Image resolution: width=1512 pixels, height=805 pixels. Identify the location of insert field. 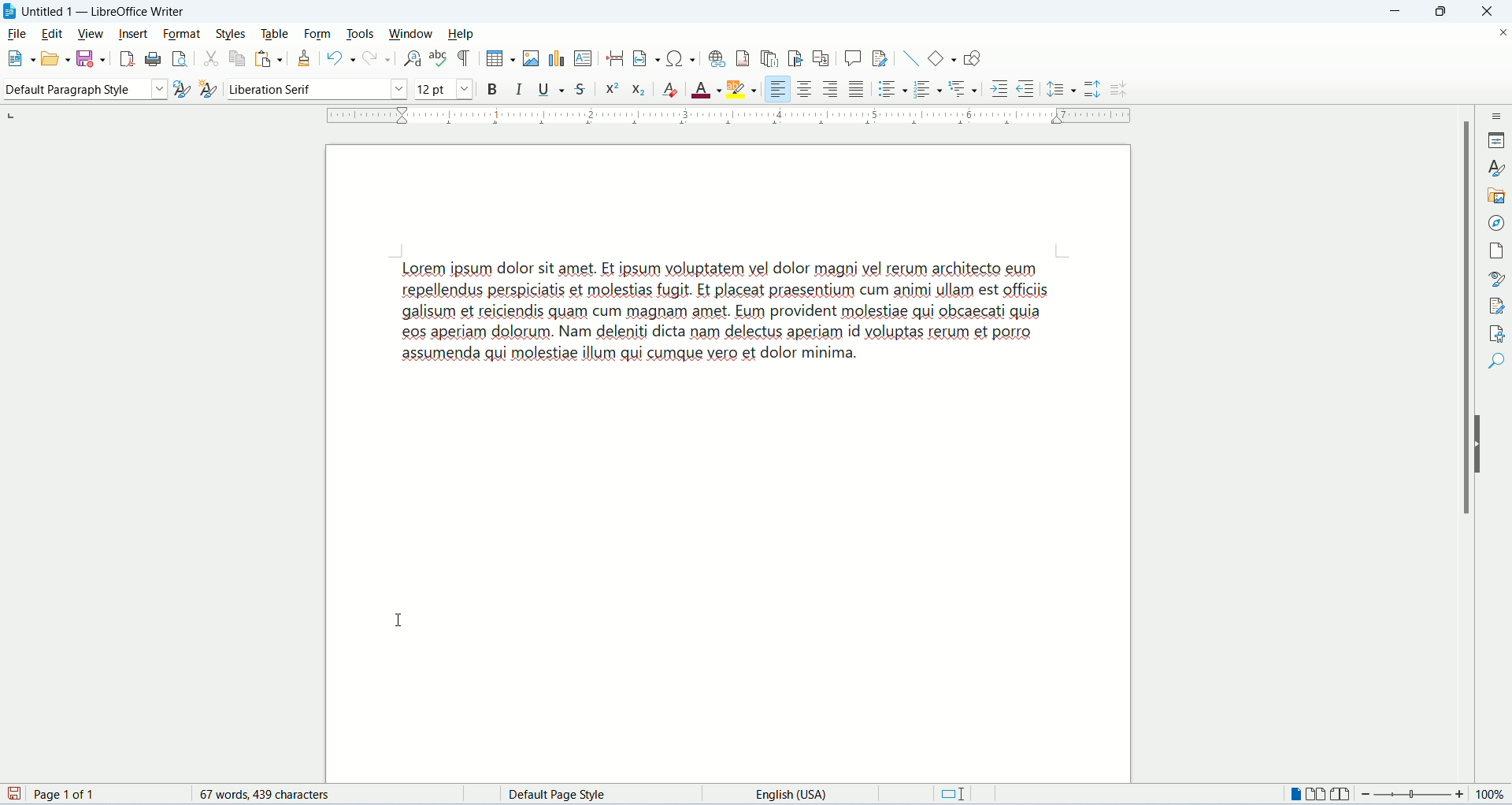
(639, 59).